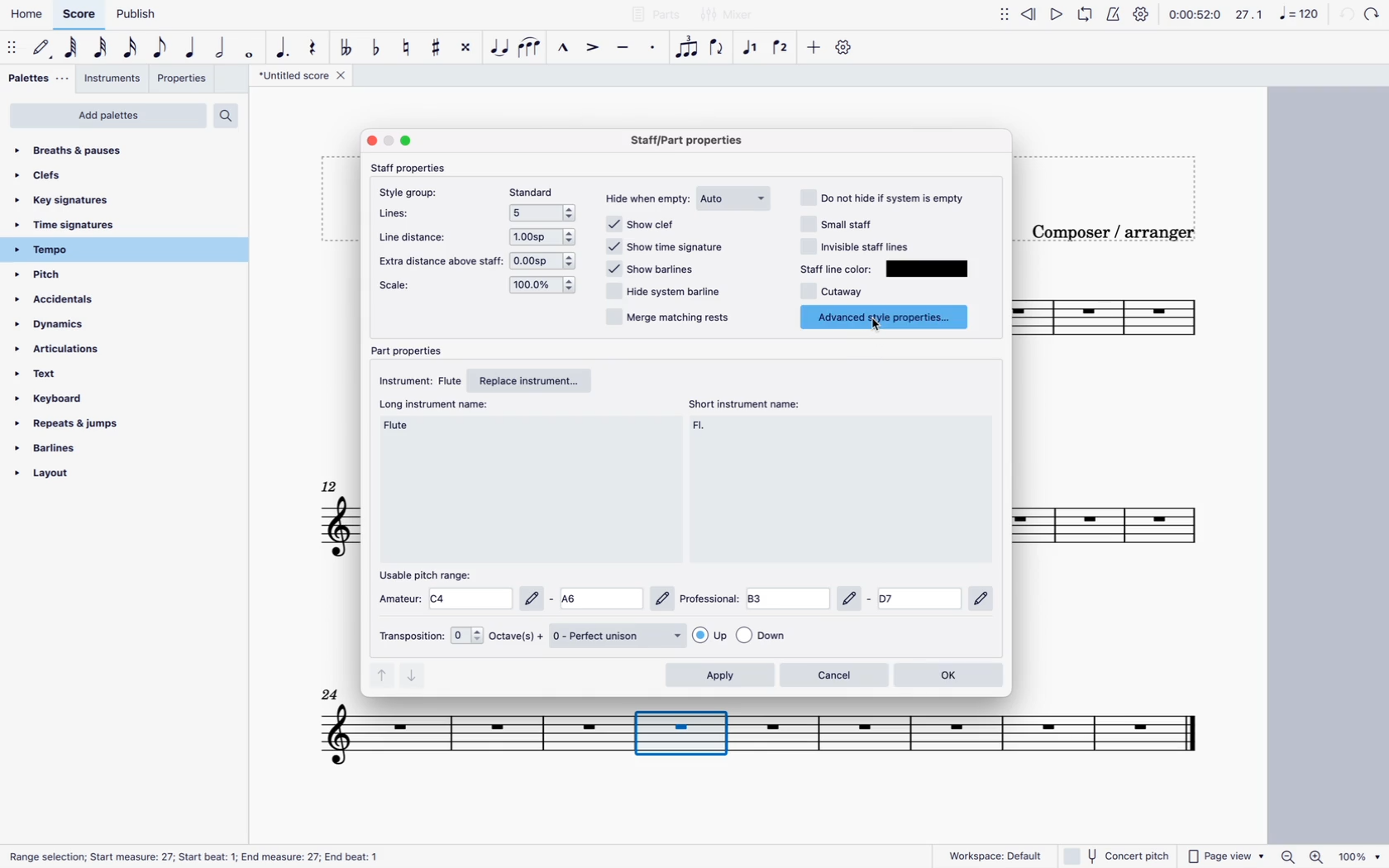 Image resolution: width=1389 pixels, height=868 pixels. I want to click on , so click(733, 16).